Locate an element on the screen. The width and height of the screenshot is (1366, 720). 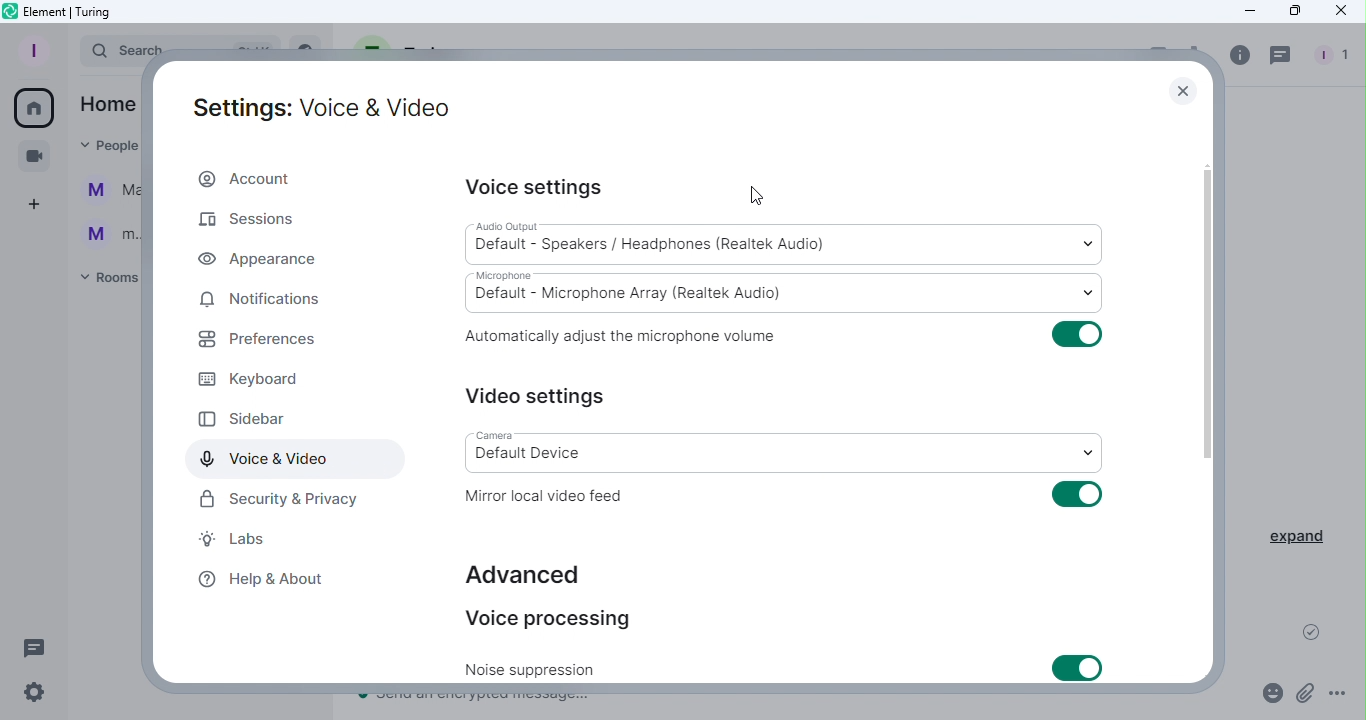
Labs is located at coordinates (229, 540).